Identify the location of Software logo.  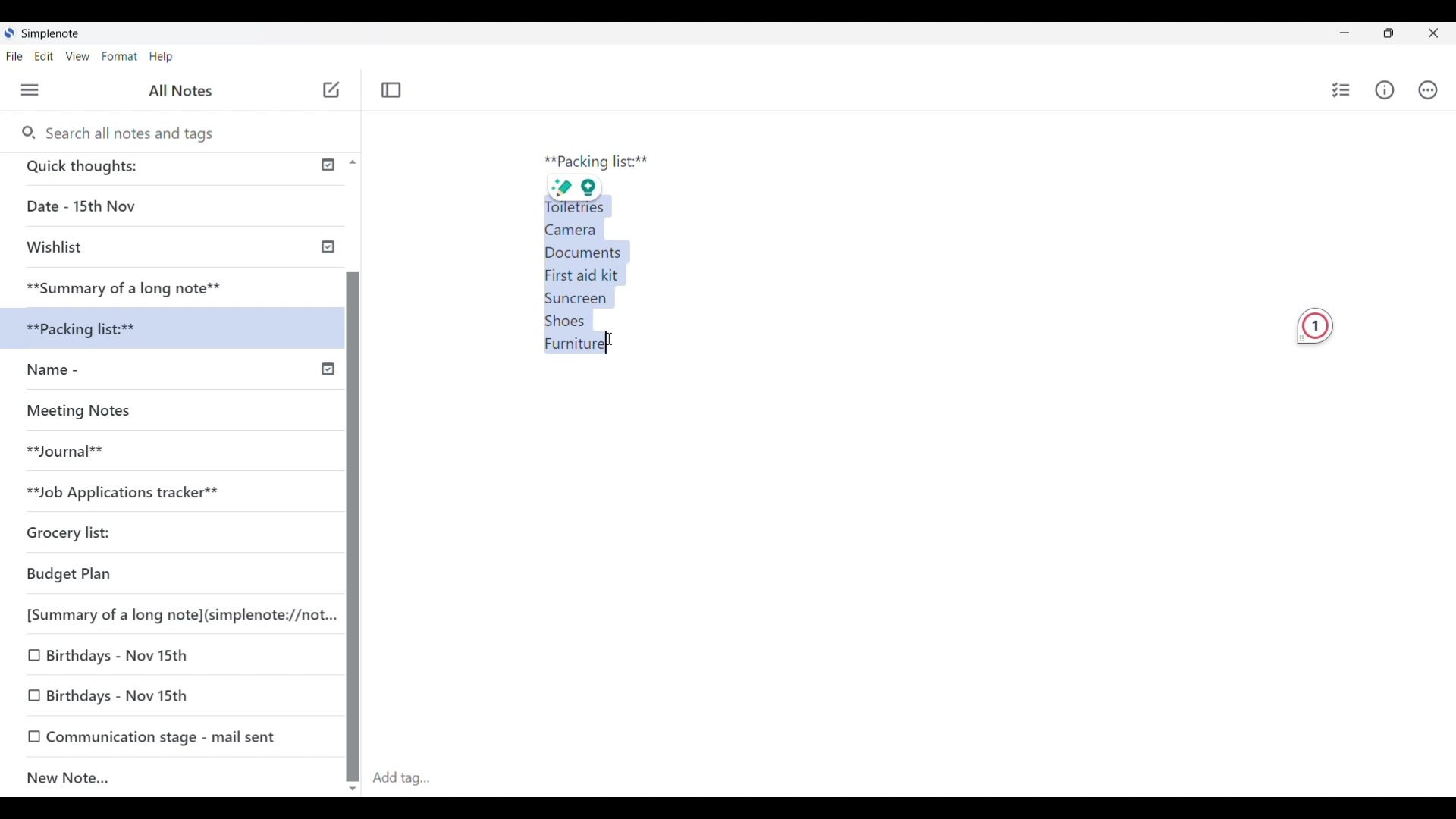
(8, 33).